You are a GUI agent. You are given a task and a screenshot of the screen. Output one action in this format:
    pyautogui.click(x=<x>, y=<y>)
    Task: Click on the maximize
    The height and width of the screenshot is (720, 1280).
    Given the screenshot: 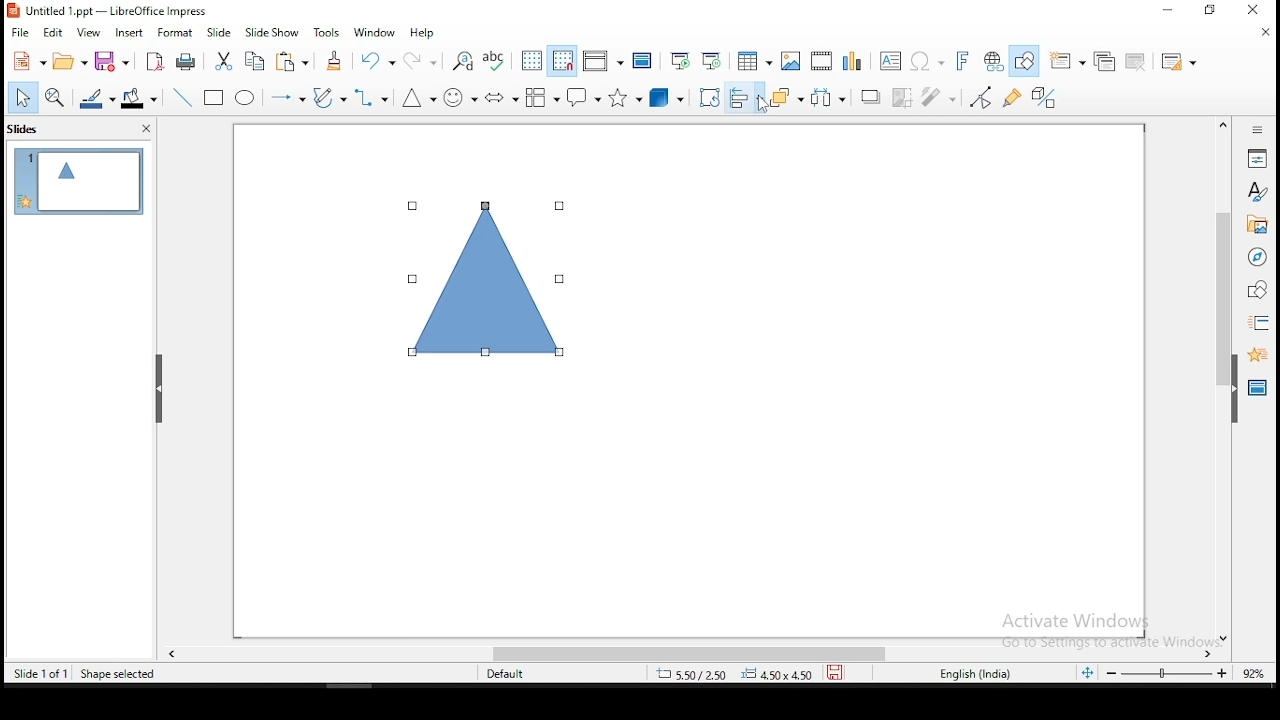 What is the action you would take?
    pyautogui.click(x=1213, y=11)
    